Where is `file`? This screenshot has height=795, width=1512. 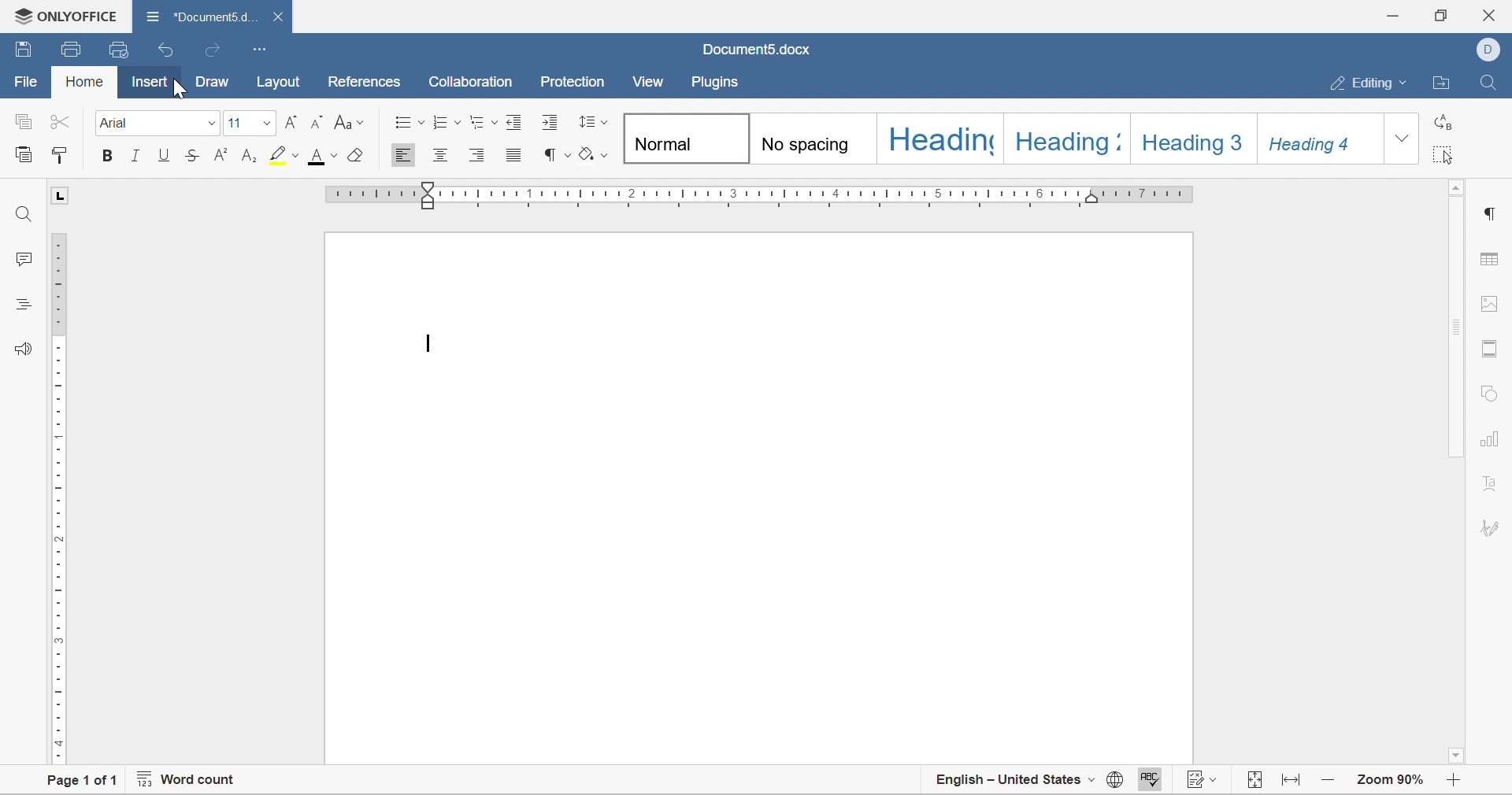 file is located at coordinates (26, 80).